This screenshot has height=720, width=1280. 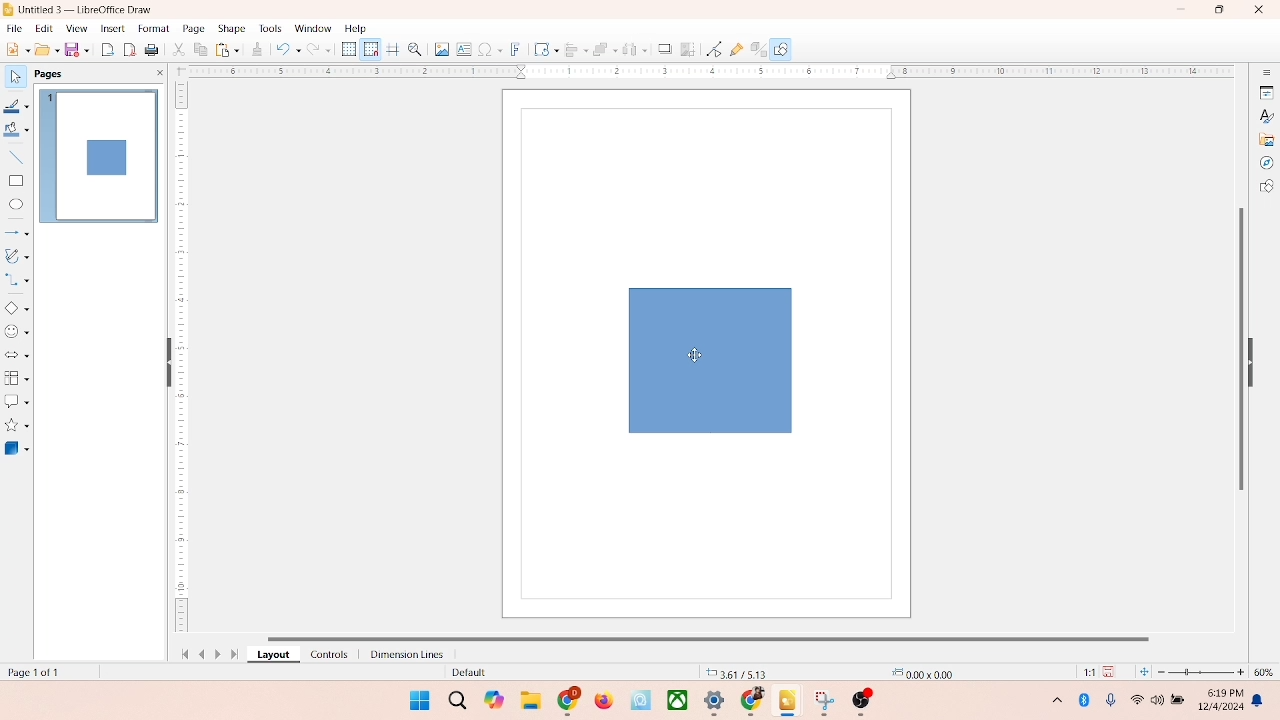 I want to click on save, so click(x=79, y=49).